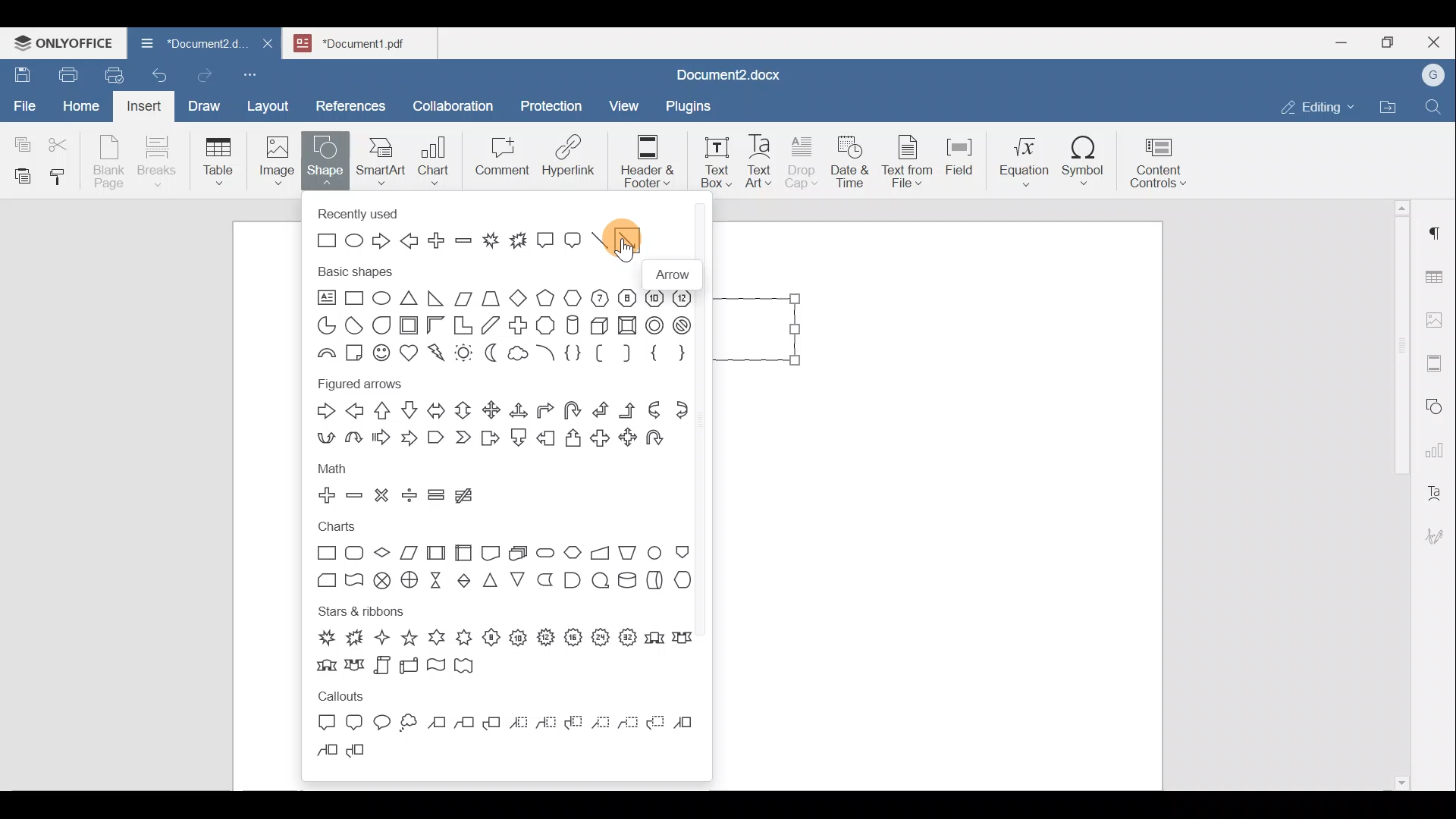 This screenshot has height=819, width=1456. What do you see at coordinates (1318, 104) in the screenshot?
I see `Editing mode` at bounding box center [1318, 104].